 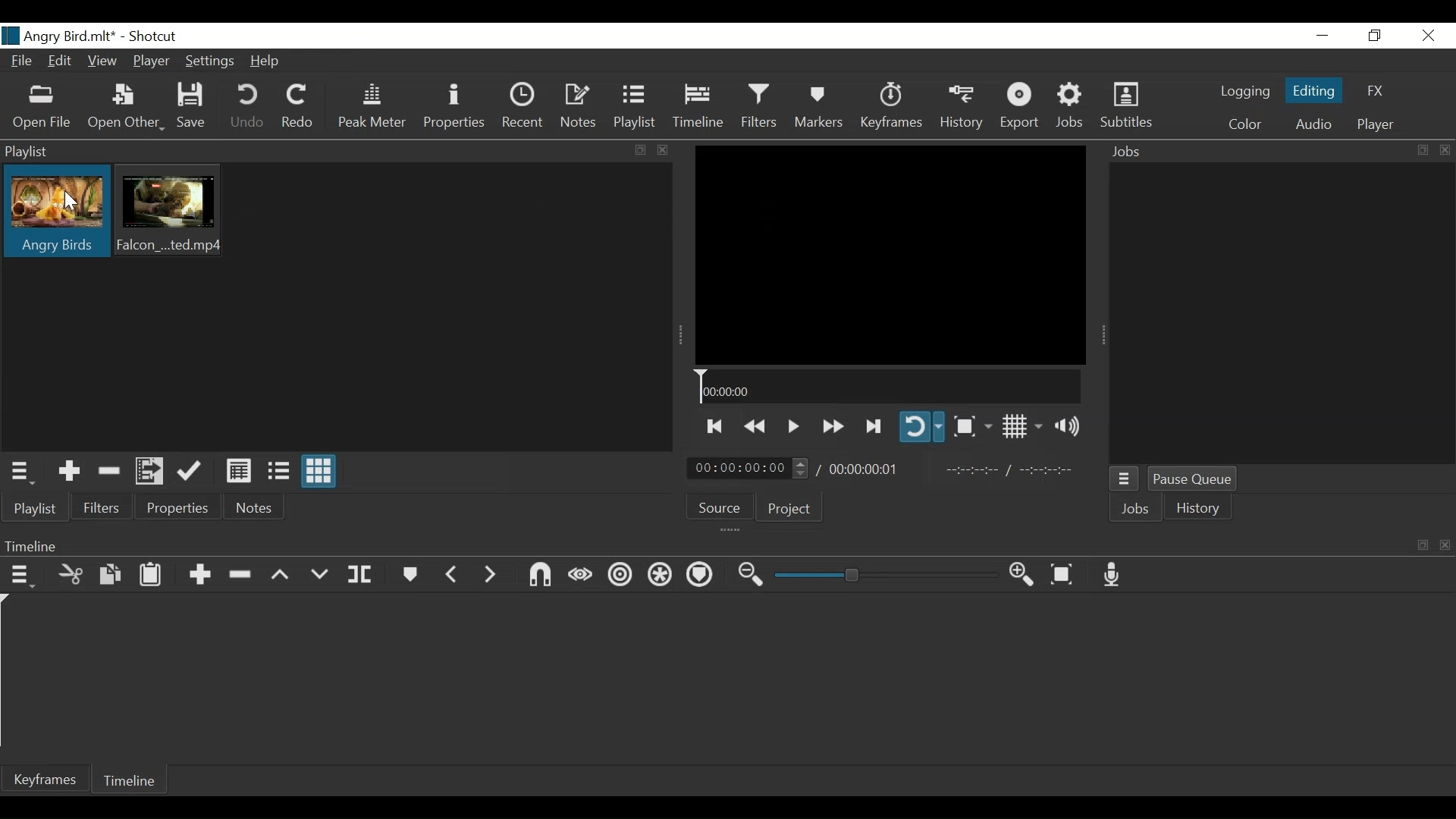 What do you see at coordinates (1072, 108) in the screenshot?
I see `Jobs` at bounding box center [1072, 108].